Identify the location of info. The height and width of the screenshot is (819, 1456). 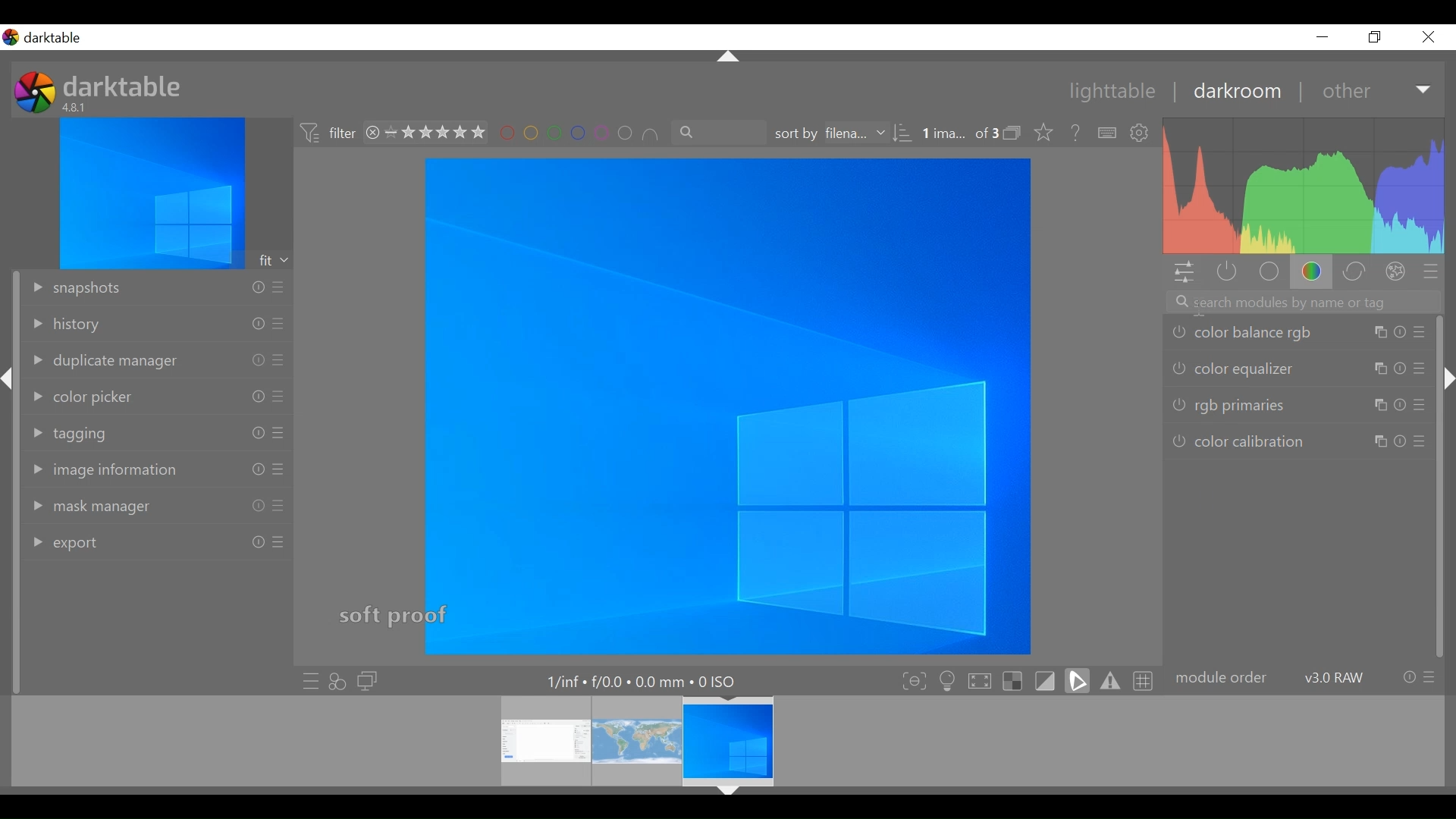
(1398, 406).